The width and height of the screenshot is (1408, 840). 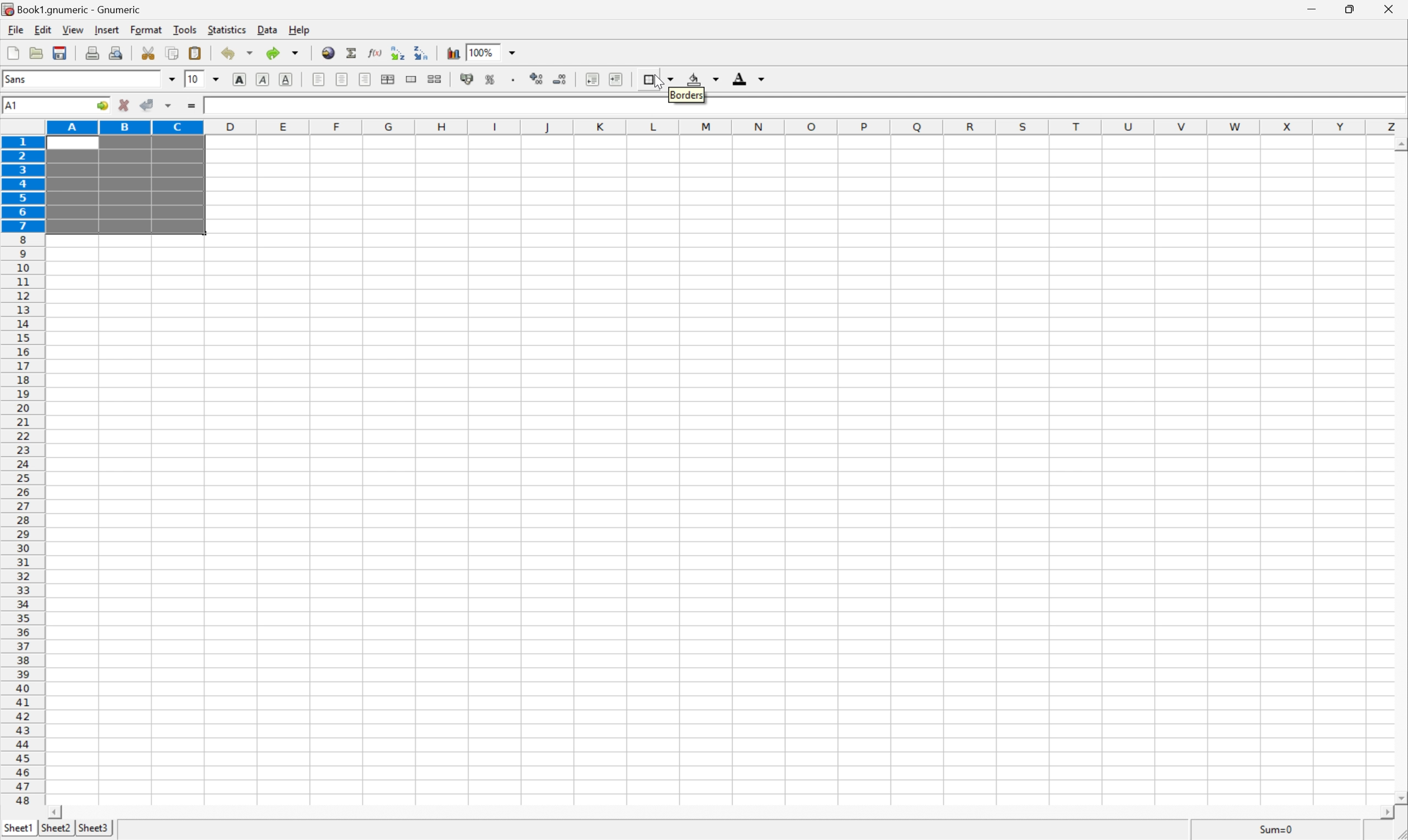 I want to click on Set the format of the selected cells to include a thousands separator, so click(x=511, y=79).